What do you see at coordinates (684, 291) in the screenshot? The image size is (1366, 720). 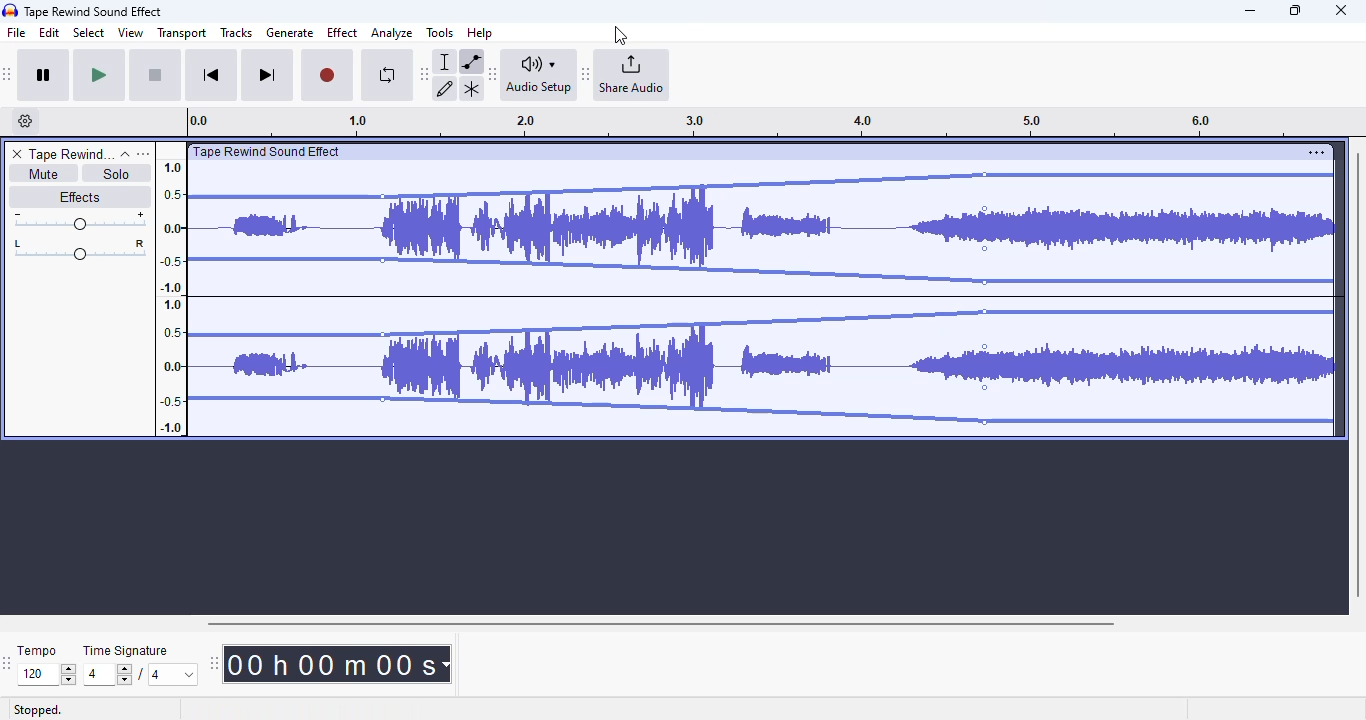 I see `Volume of track reduced` at bounding box center [684, 291].